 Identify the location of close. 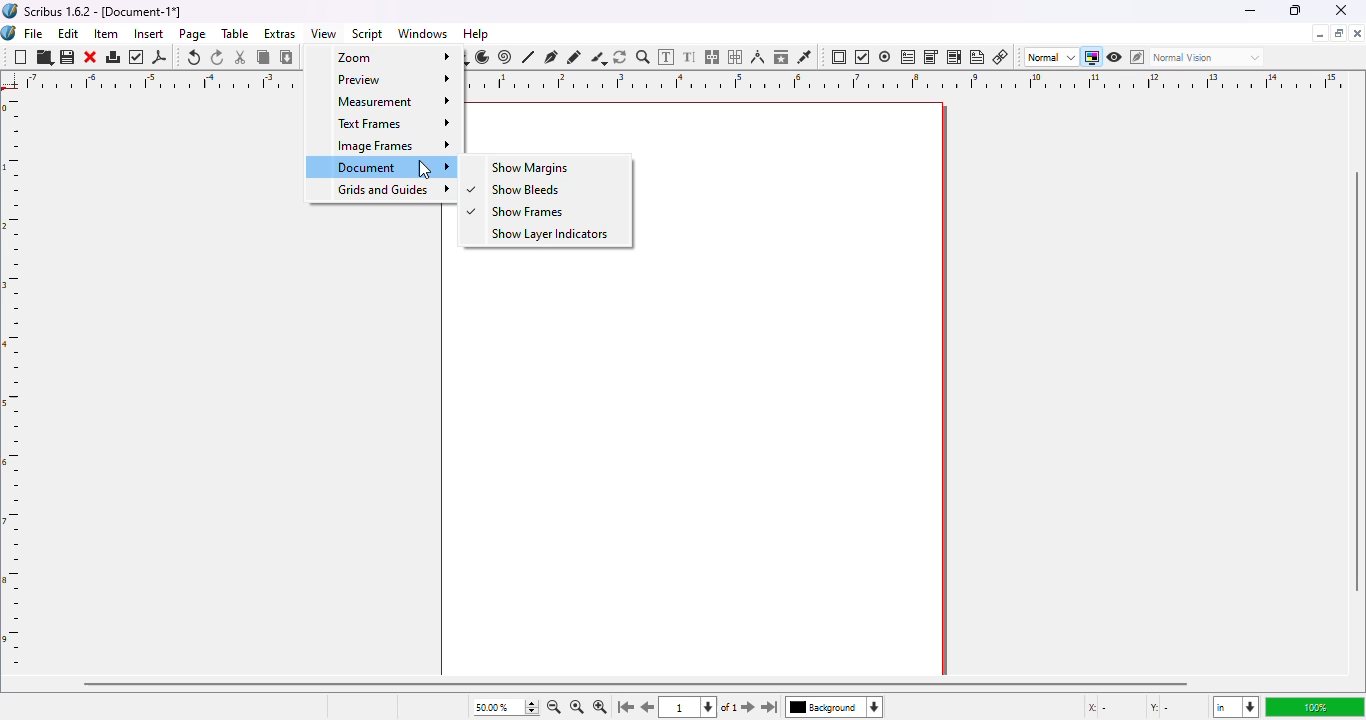
(91, 57).